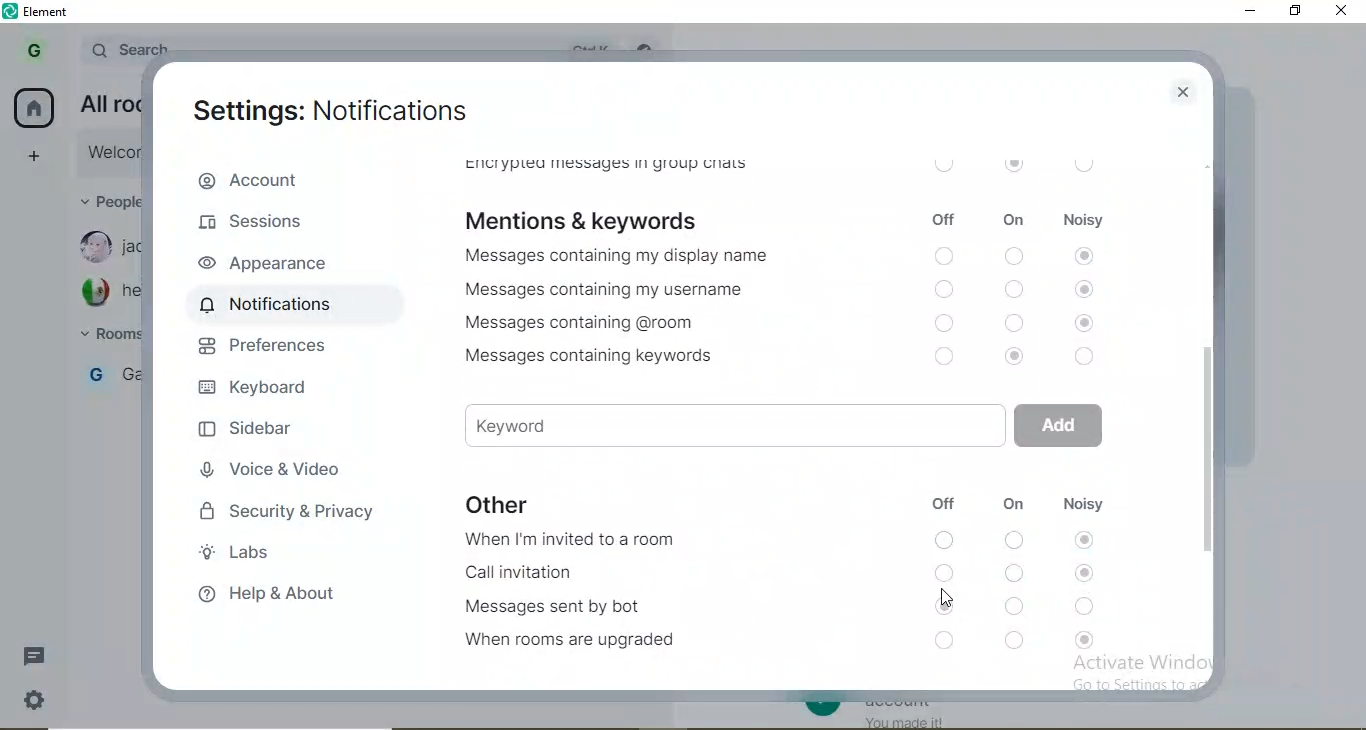  I want to click on noisy switch, so click(1087, 640).